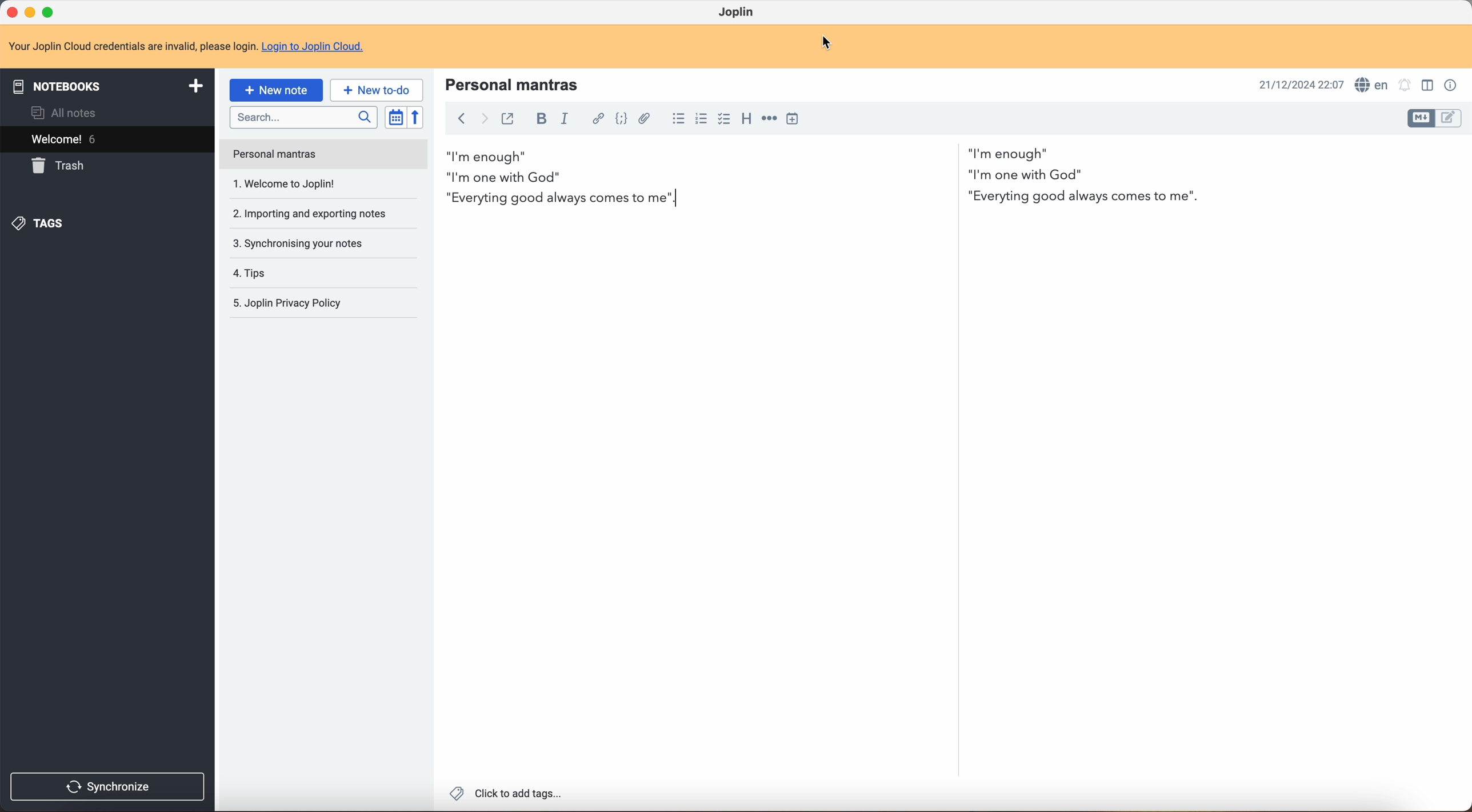 The height and width of the screenshot is (812, 1472). What do you see at coordinates (1210, 465) in the screenshot?
I see `body text` at bounding box center [1210, 465].